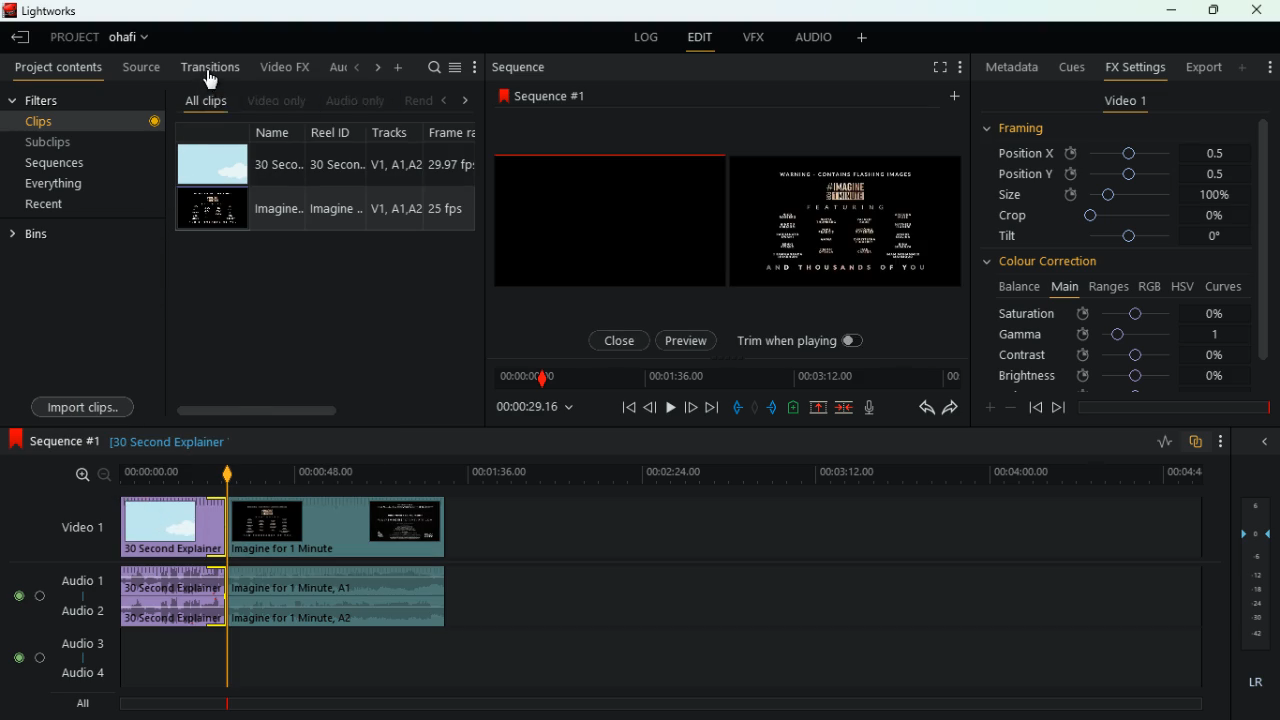 This screenshot has width=1280, height=720. Describe the element at coordinates (878, 409) in the screenshot. I see `mic` at that location.